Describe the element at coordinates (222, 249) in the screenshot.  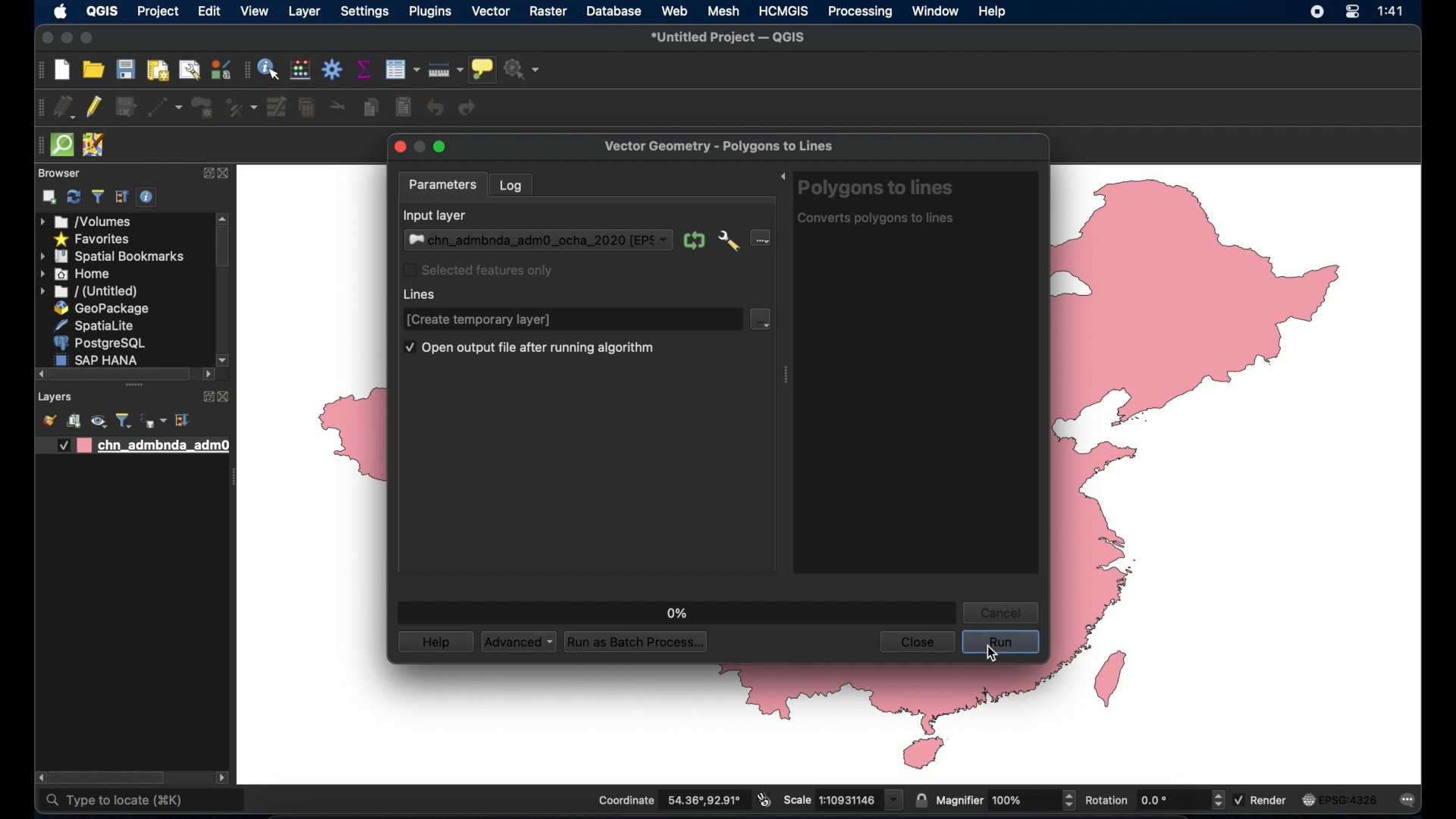
I see `scroll box` at that location.